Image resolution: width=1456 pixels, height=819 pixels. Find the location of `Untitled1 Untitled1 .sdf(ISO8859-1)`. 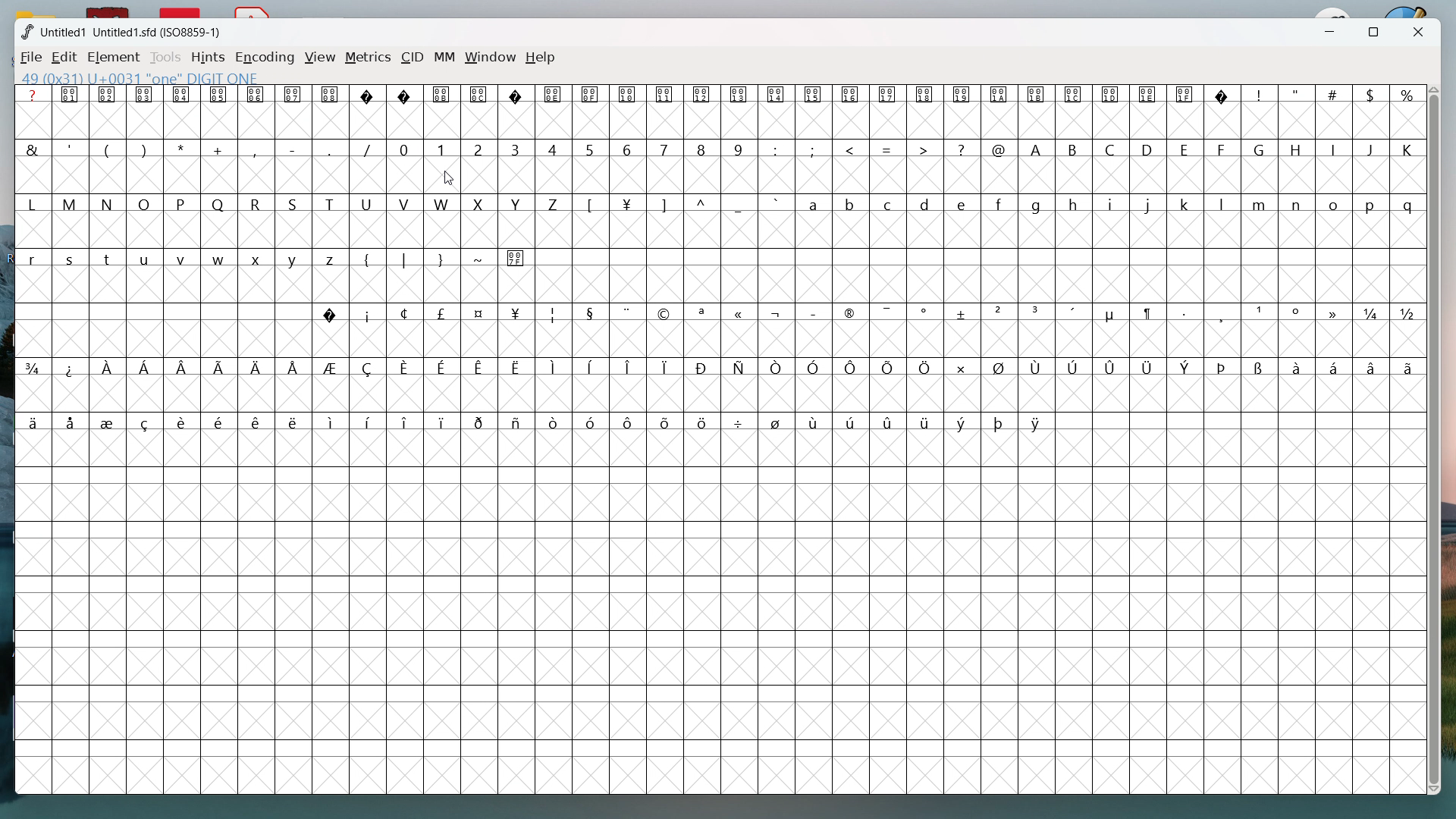

Untitled1 Untitled1 .sdf(ISO8859-1) is located at coordinates (131, 32).